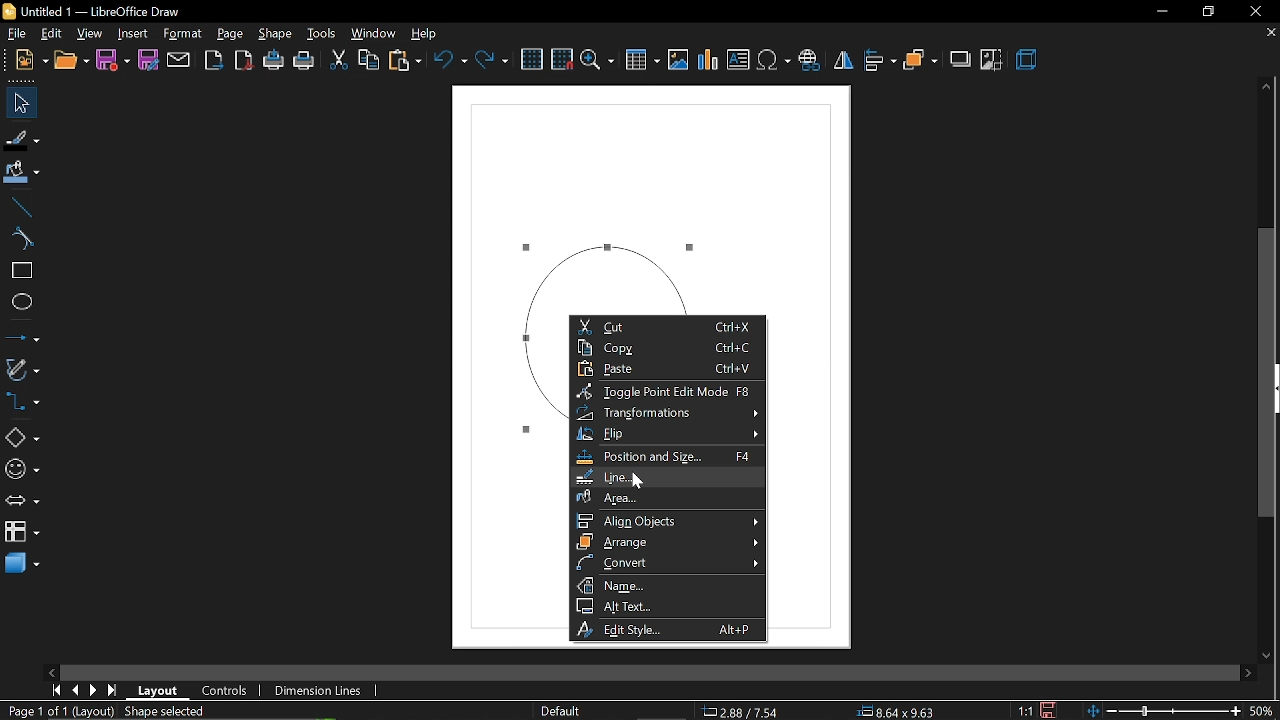 The image size is (1280, 720). I want to click on connectors, so click(24, 402).